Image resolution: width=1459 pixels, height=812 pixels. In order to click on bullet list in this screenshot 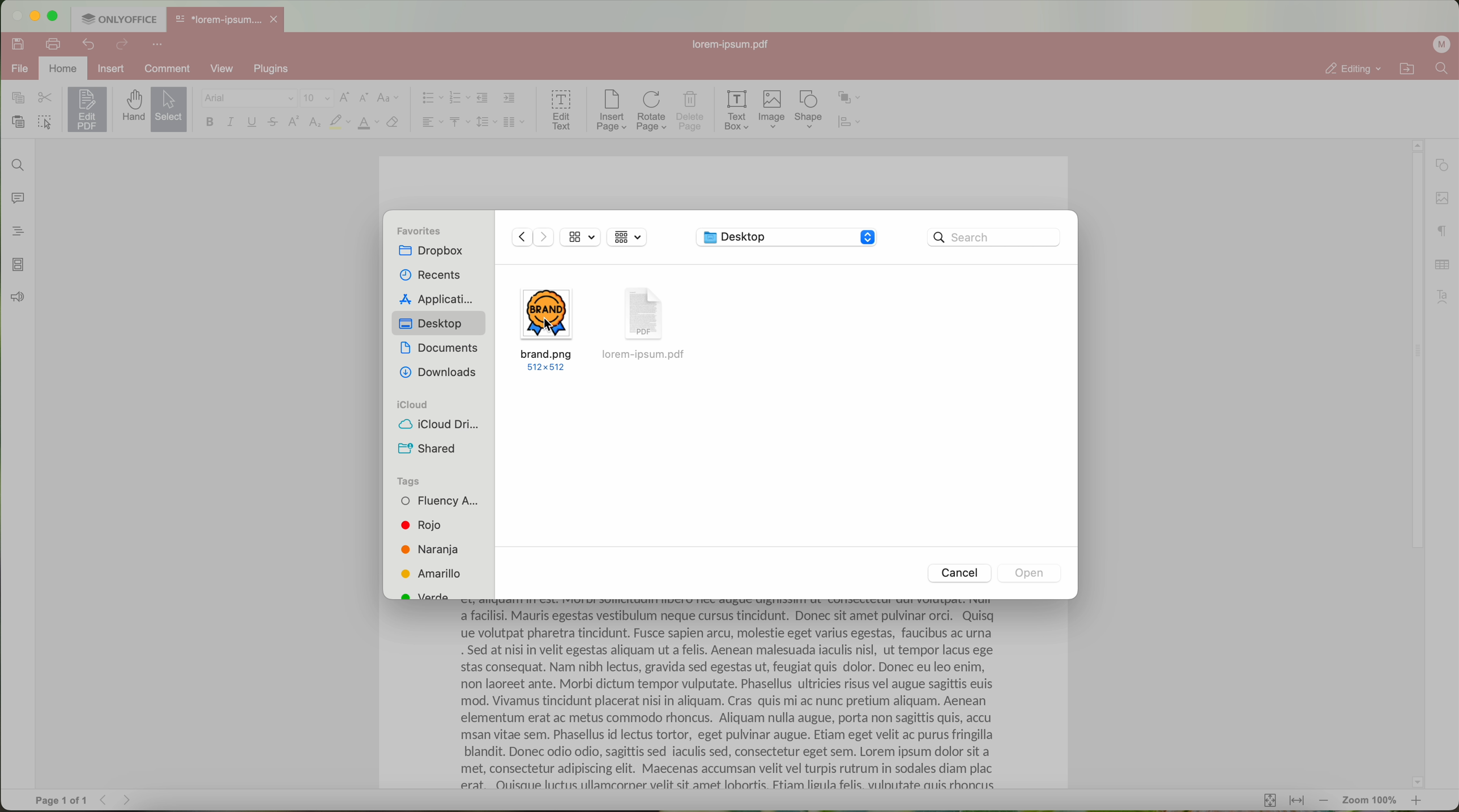, I will do `click(429, 99)`.